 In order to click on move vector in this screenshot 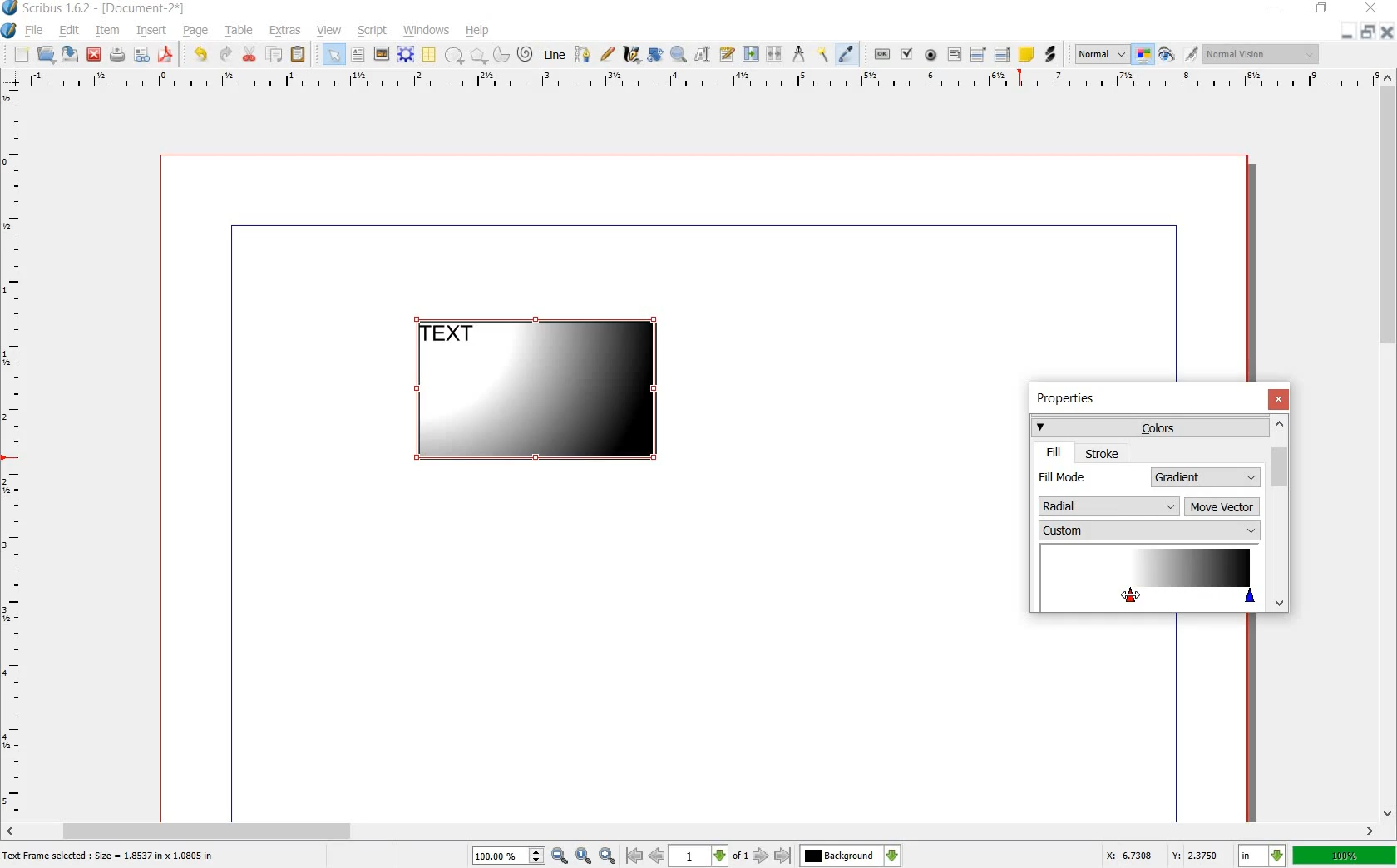, I will do `click(1222, 508)`.